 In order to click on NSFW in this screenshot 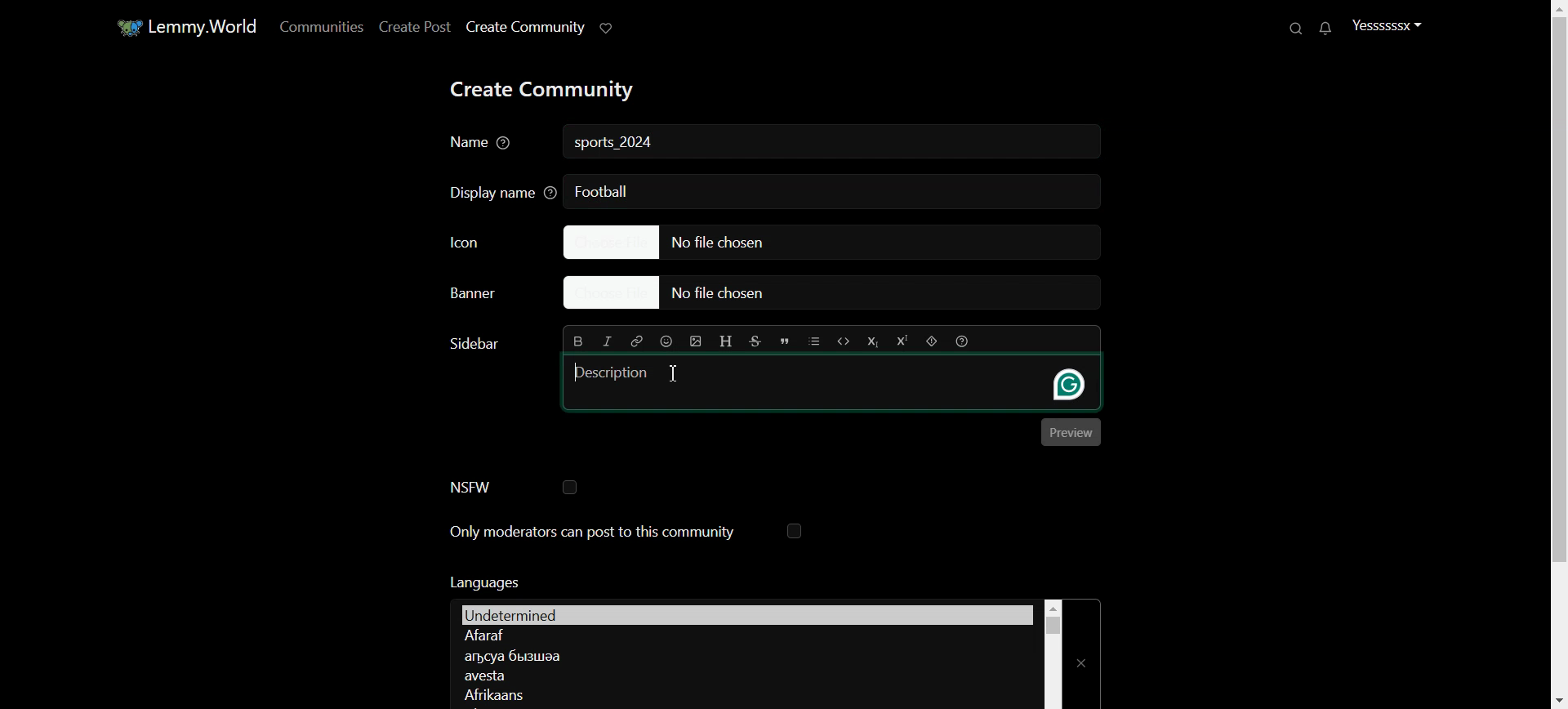, I will do `click(513, 487)`.